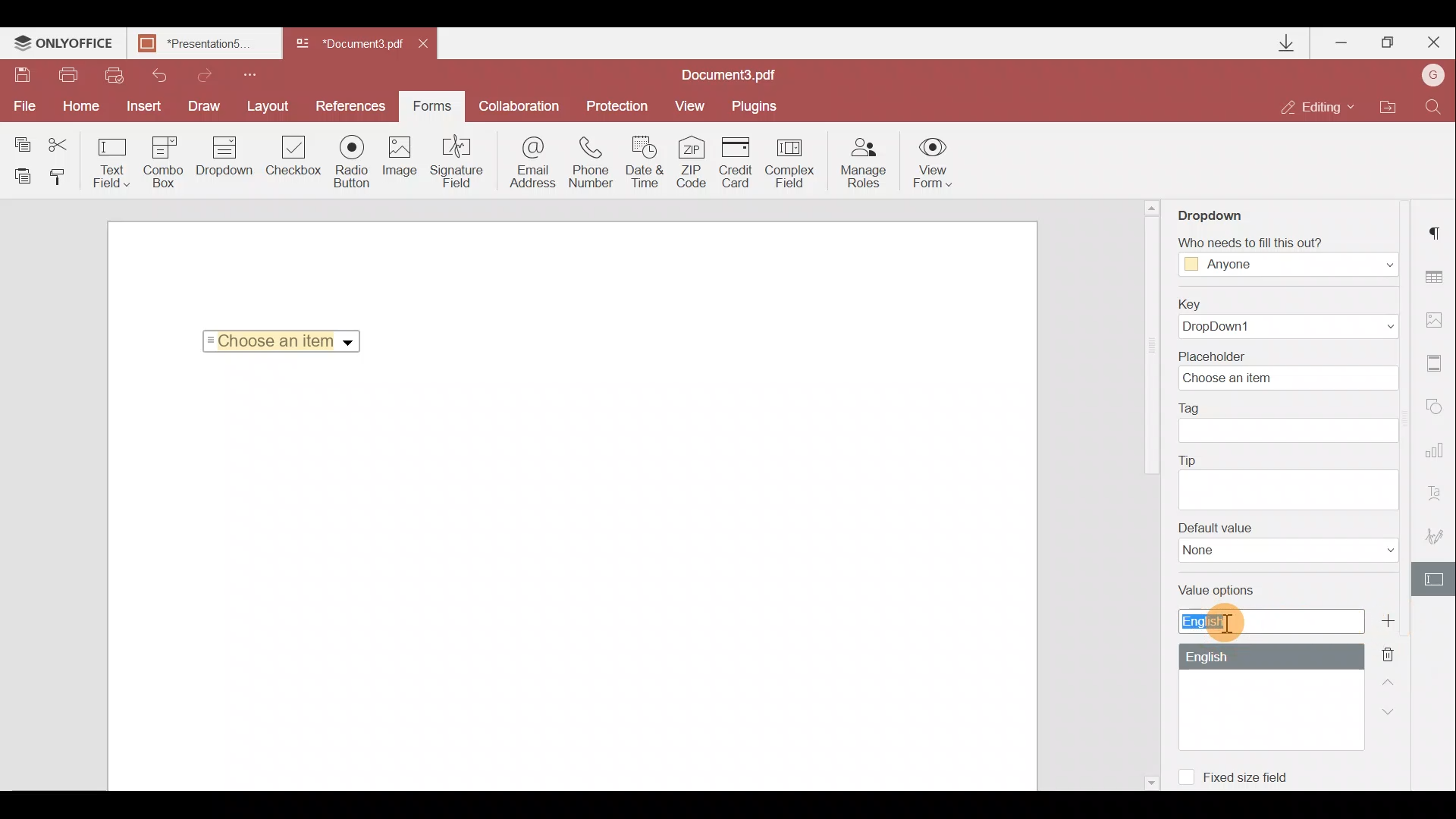 This screenshot has width=1456, height=819. I want to click on Find, so click(1434, 105).